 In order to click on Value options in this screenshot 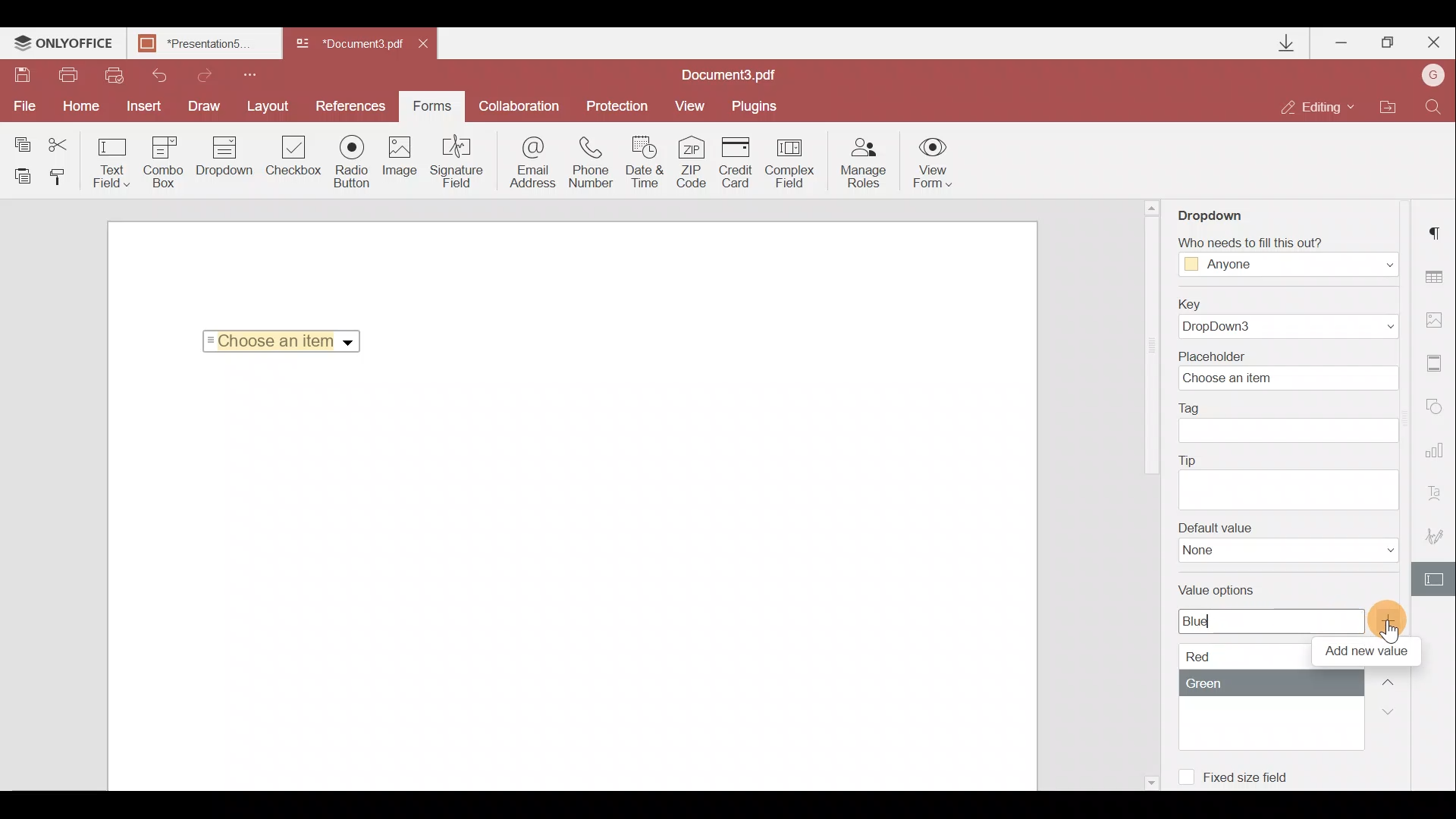, I will do `click(1238, 662)`.